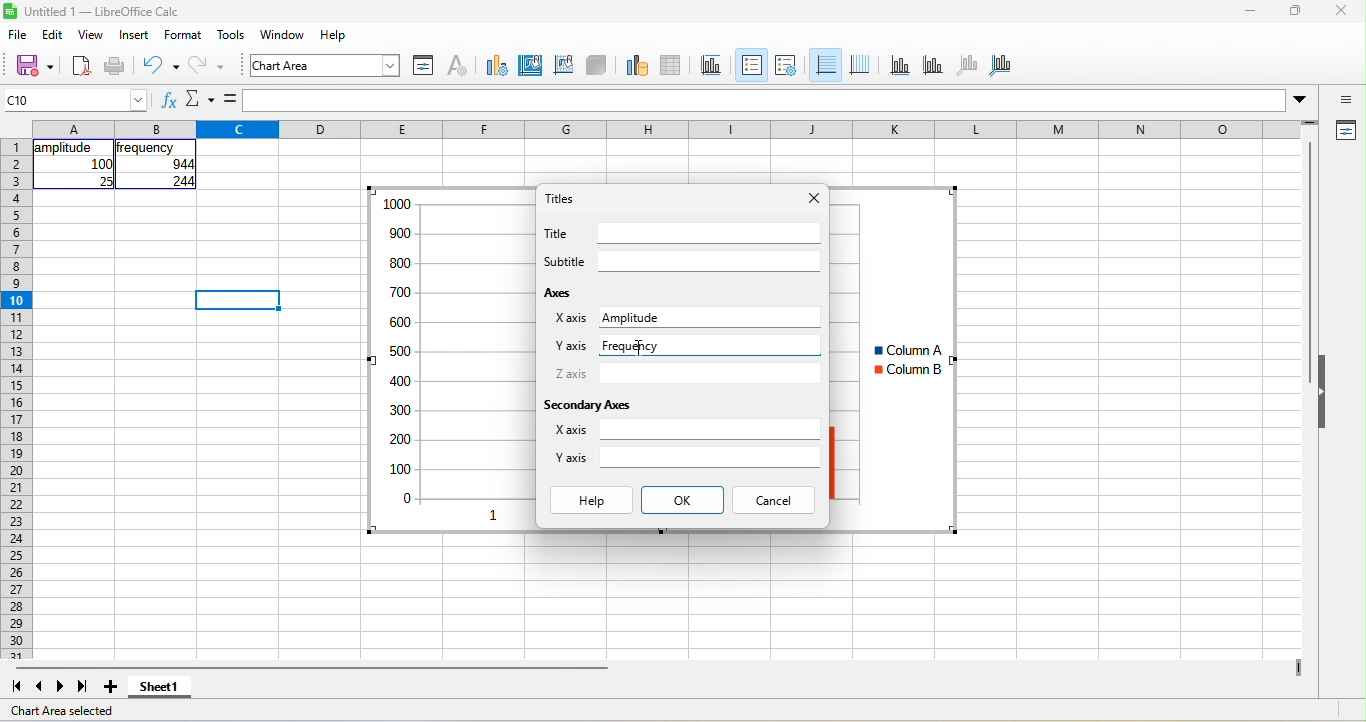 The height and width of the screenshot is (722, 1366). What do you see at coordinates (743, 345) in the screenshot?
I see `Typing in input for y axis` at bounding box center [743, 345].